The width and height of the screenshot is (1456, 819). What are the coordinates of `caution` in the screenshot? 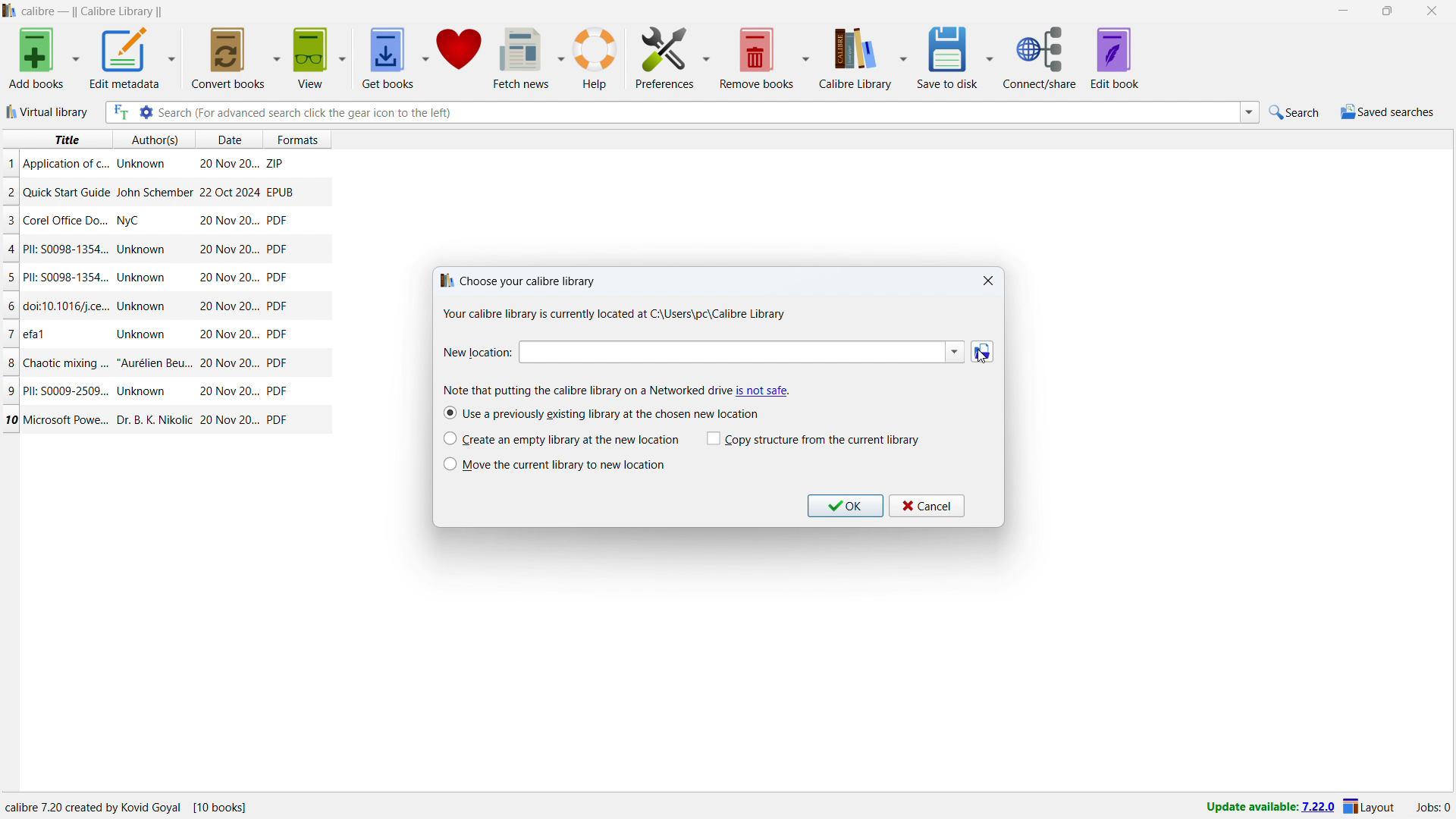 It's located at (762, 391).